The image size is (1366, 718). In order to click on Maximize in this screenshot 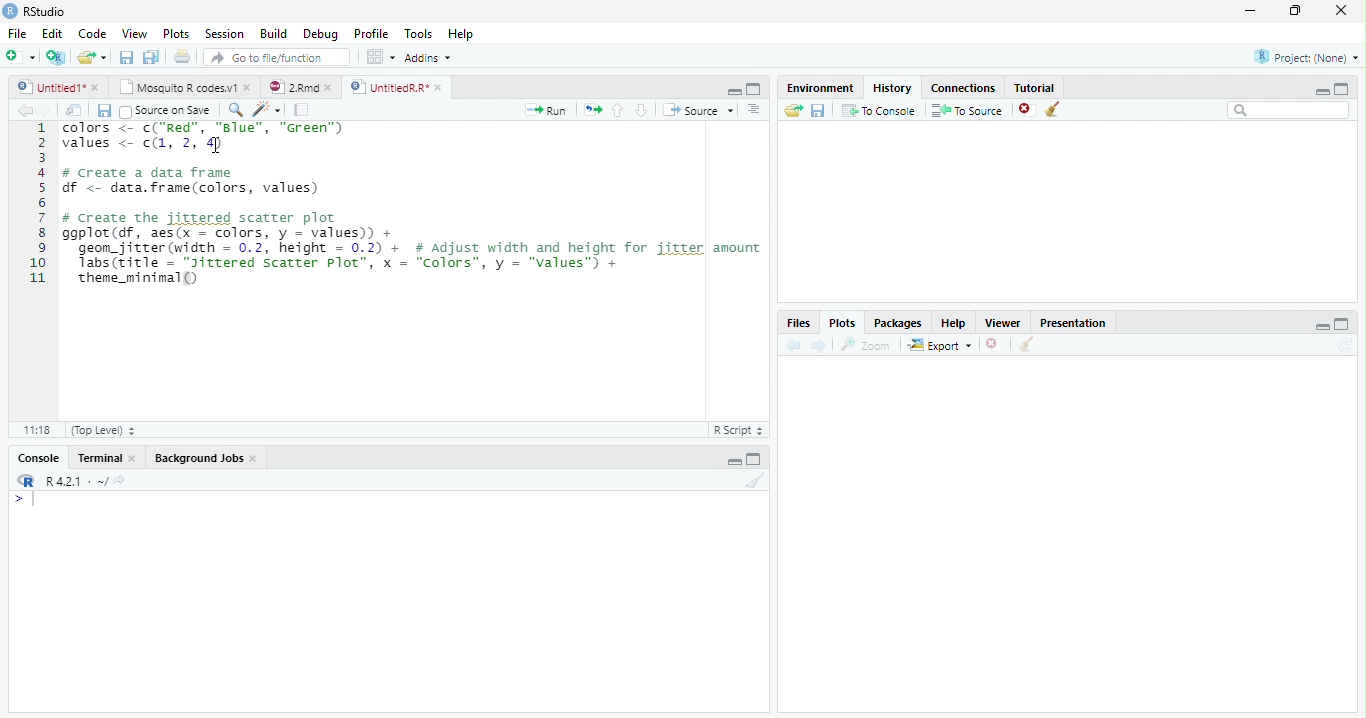, I will do `click(754, 458)`.